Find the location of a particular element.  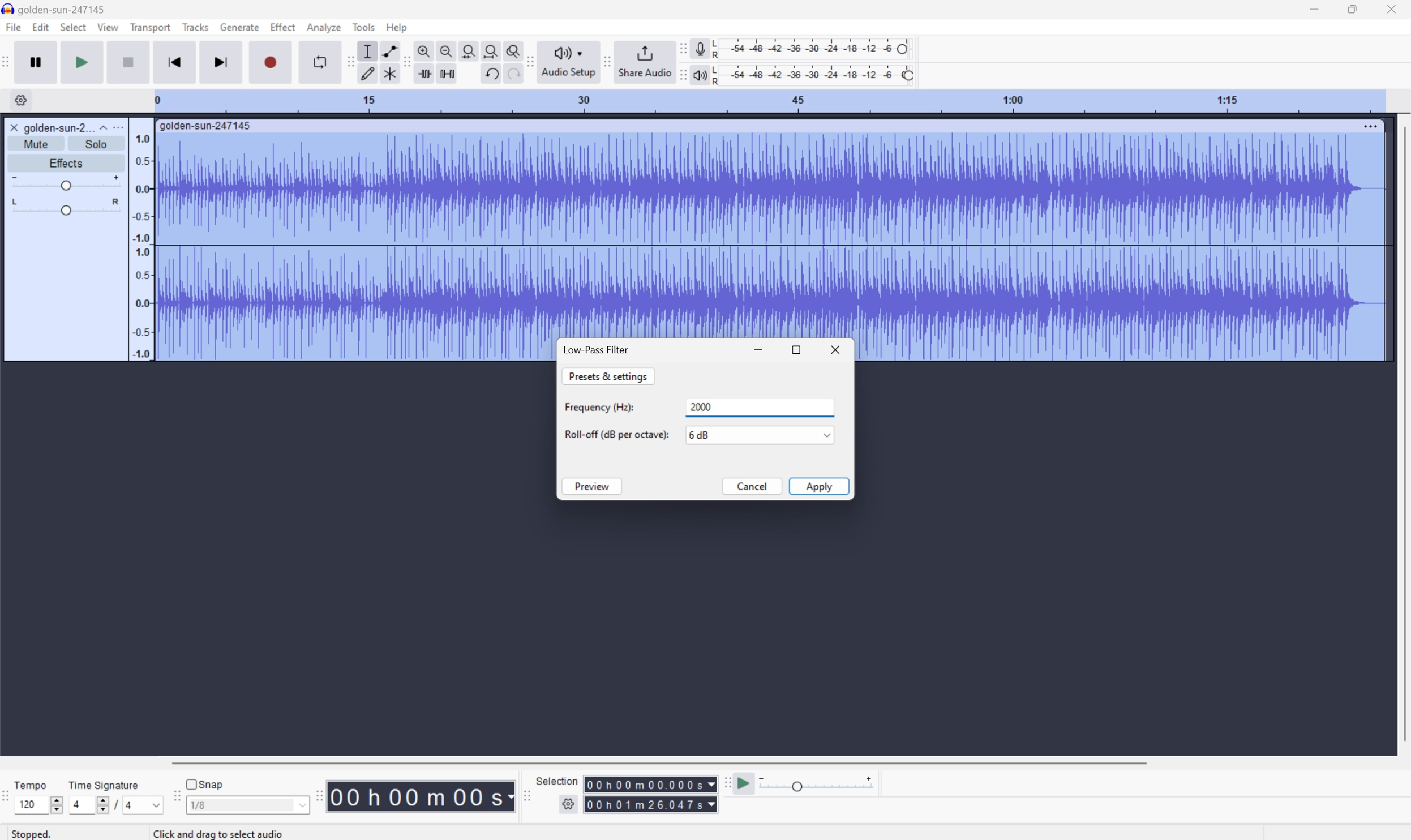

Settings is located at coordinates (570, 807).